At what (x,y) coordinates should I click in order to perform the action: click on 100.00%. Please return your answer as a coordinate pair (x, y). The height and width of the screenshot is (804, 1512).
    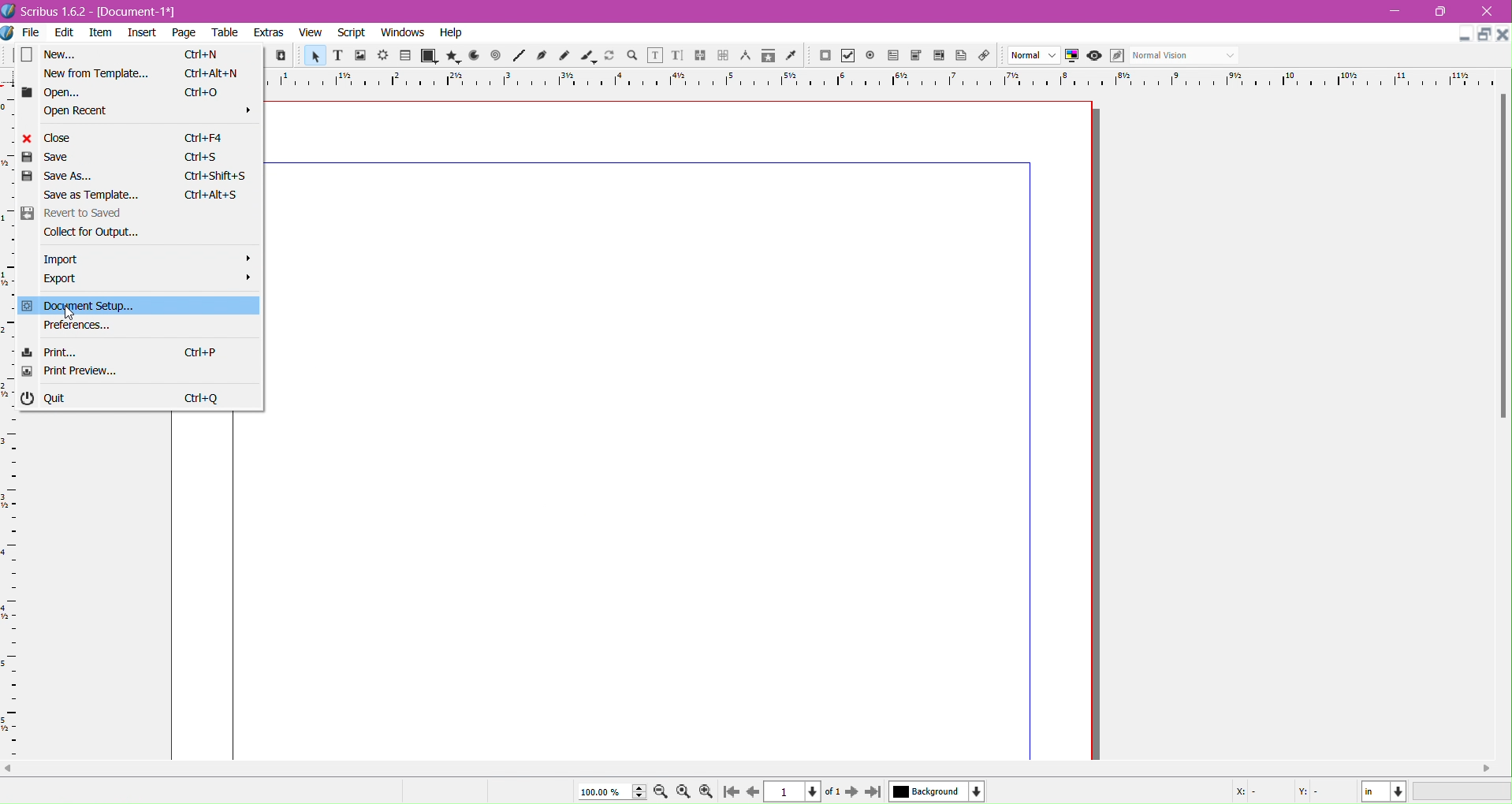
    Looking at the image, I should click on (605, 791).